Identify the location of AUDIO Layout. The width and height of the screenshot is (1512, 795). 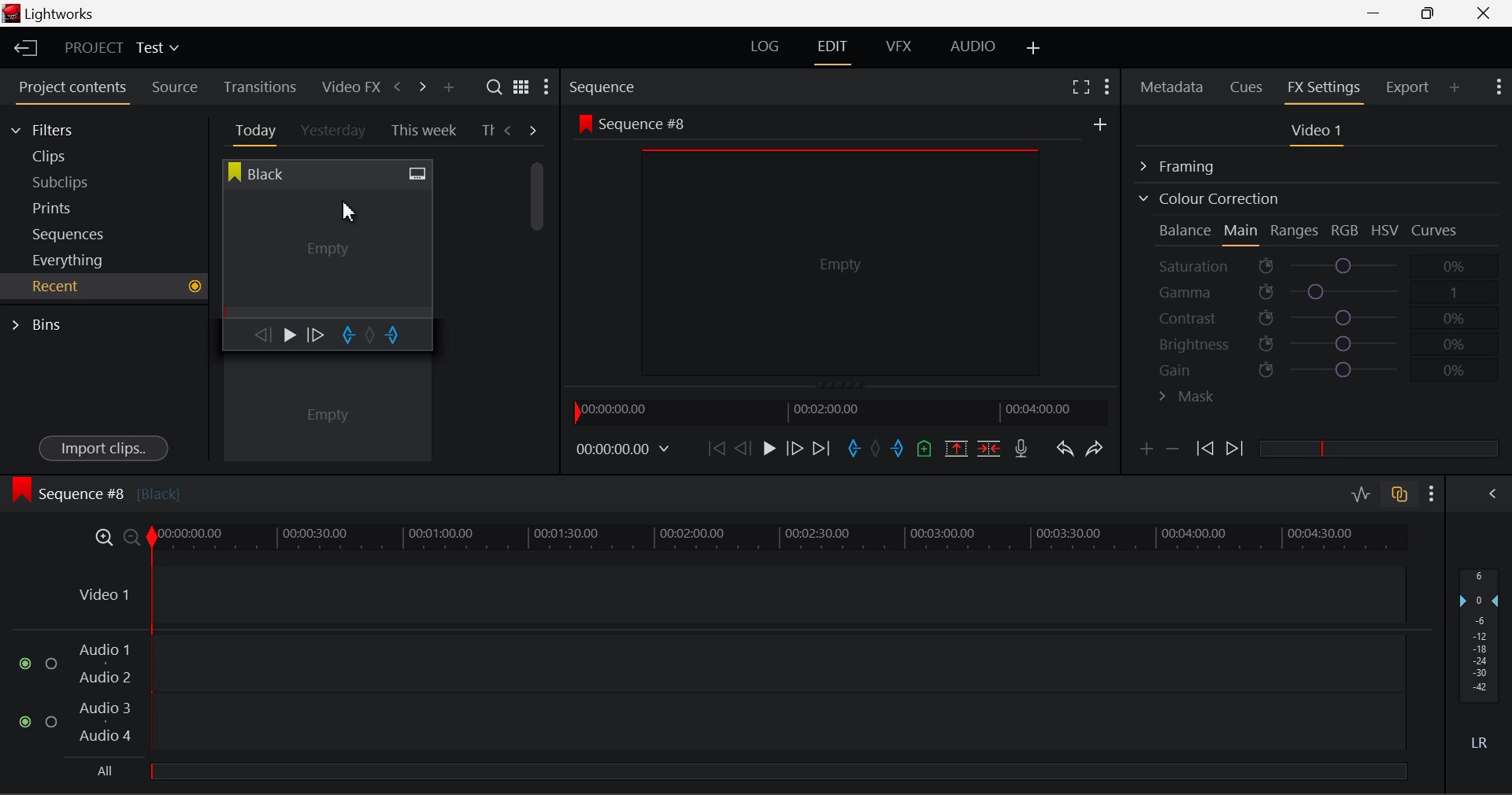
(972, 46).